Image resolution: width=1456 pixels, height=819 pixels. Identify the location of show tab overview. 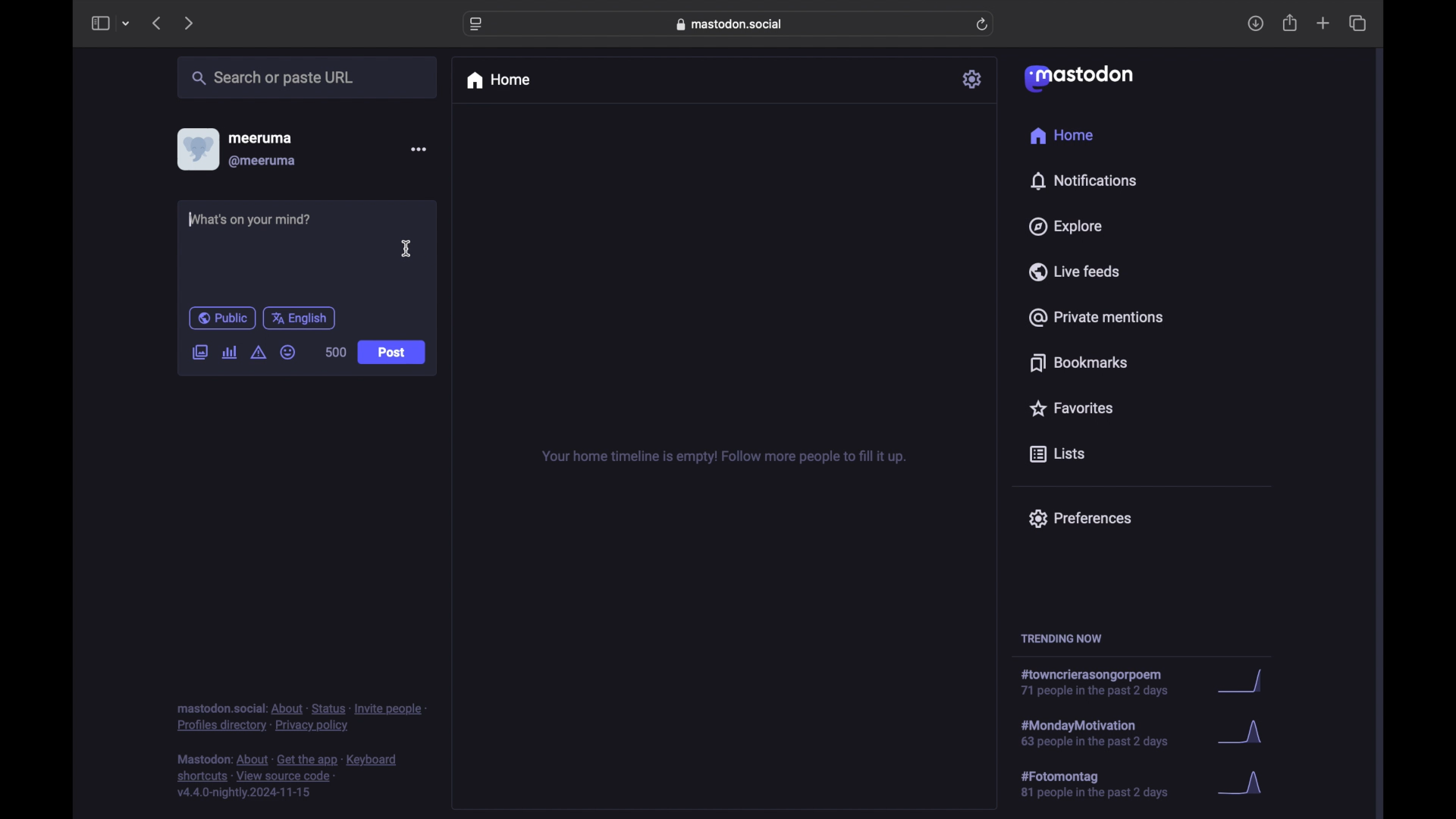
(1359, 23).